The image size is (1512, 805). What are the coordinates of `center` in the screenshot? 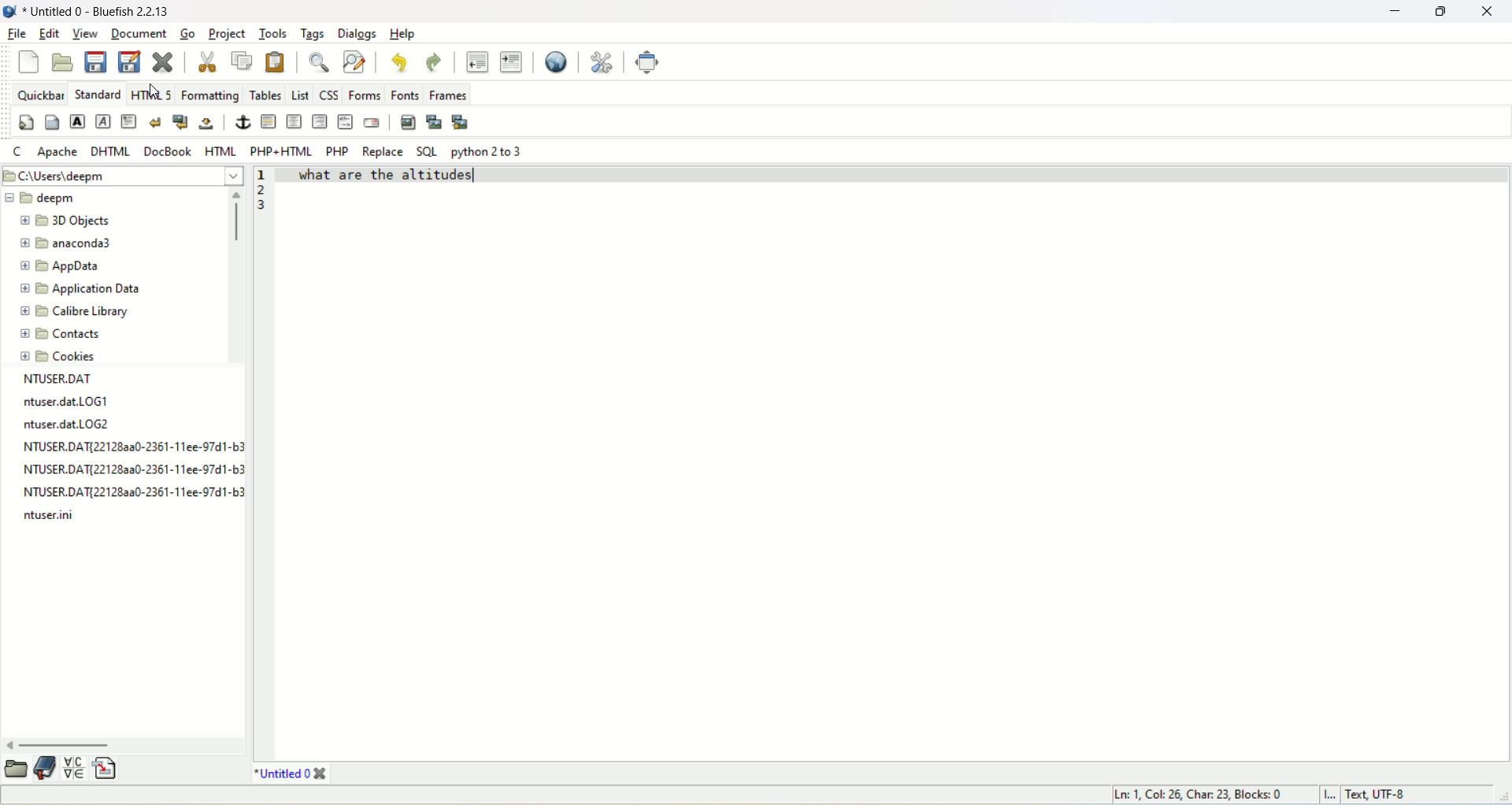 It's located at (293, 122).